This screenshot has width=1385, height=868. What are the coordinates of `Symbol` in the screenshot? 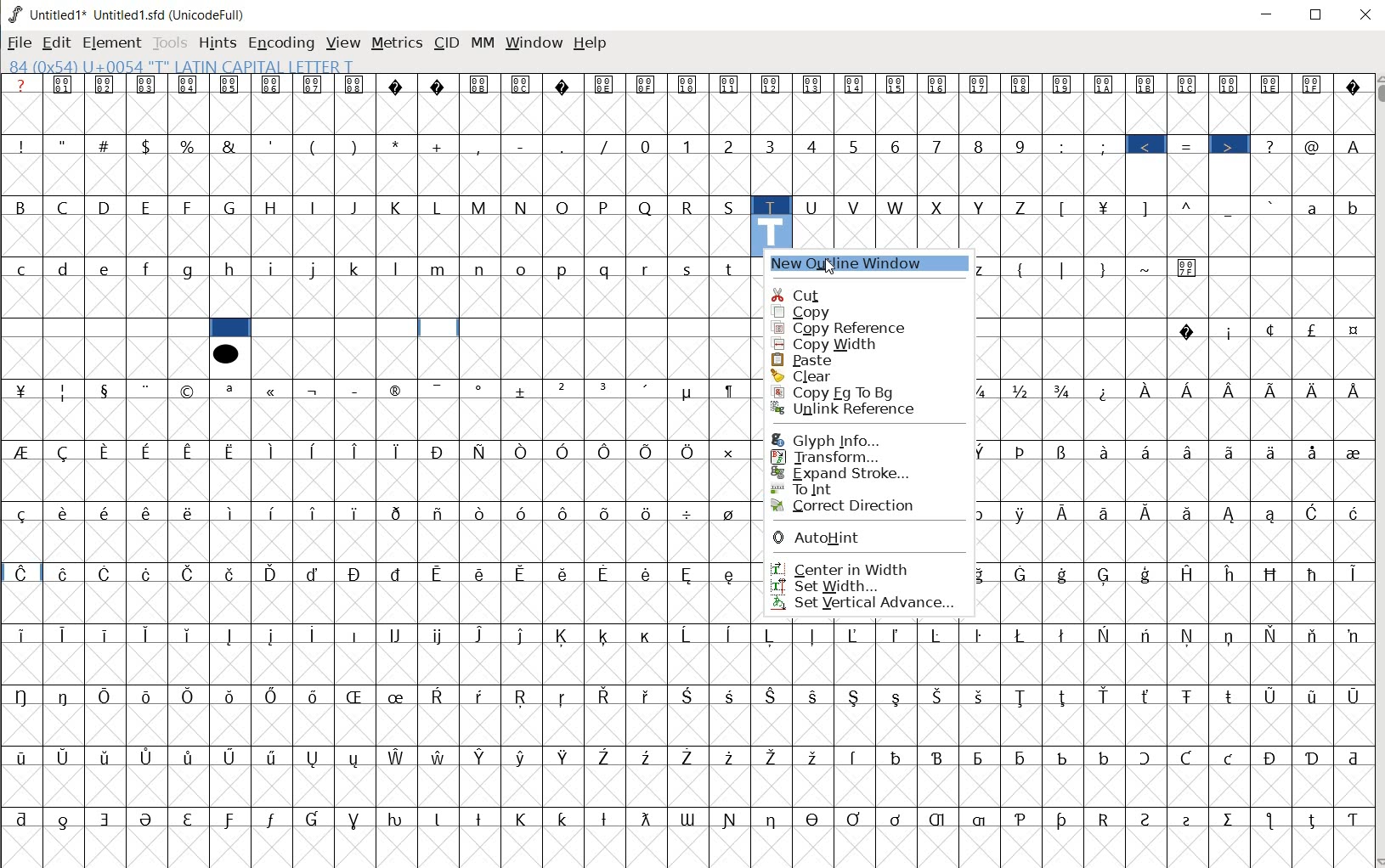 It's located at (565, 451).